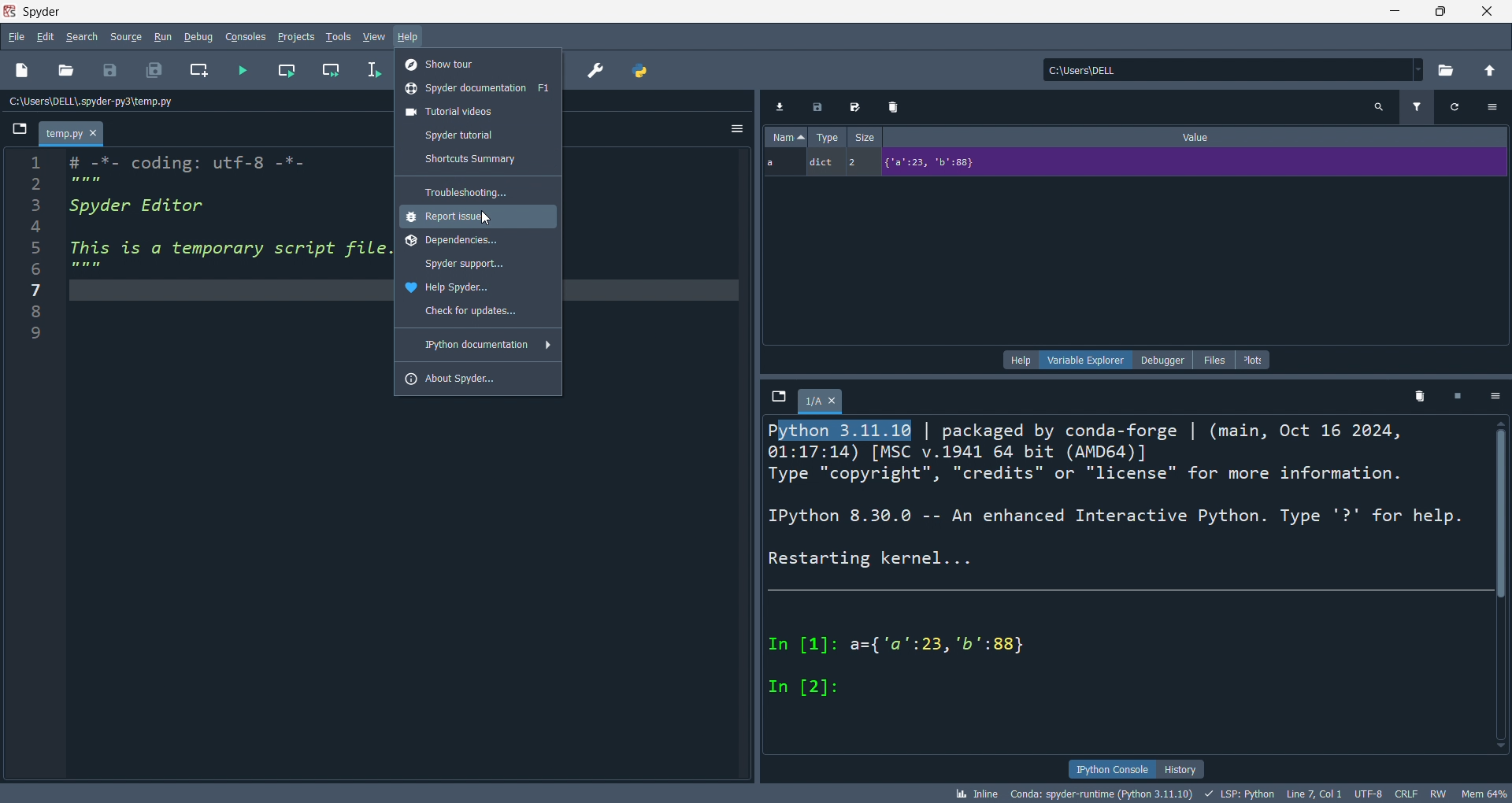 The image size is (1512, 803). What do you see at coordinates (477, 345) in the screenshot?
I see `ipython documentation` at bounding box center [477, 345].